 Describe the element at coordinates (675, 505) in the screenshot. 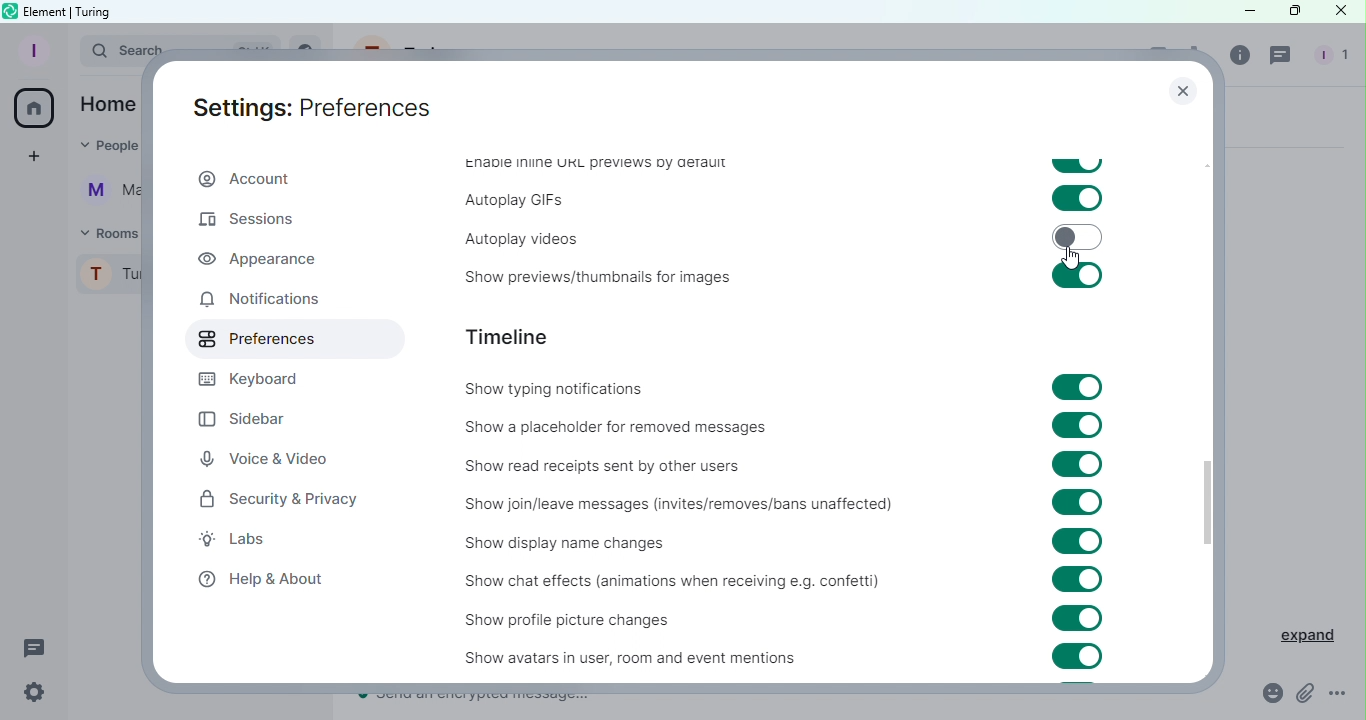

I see `Show join/leave messages (invites/removes/bans unaffected))` at that location.